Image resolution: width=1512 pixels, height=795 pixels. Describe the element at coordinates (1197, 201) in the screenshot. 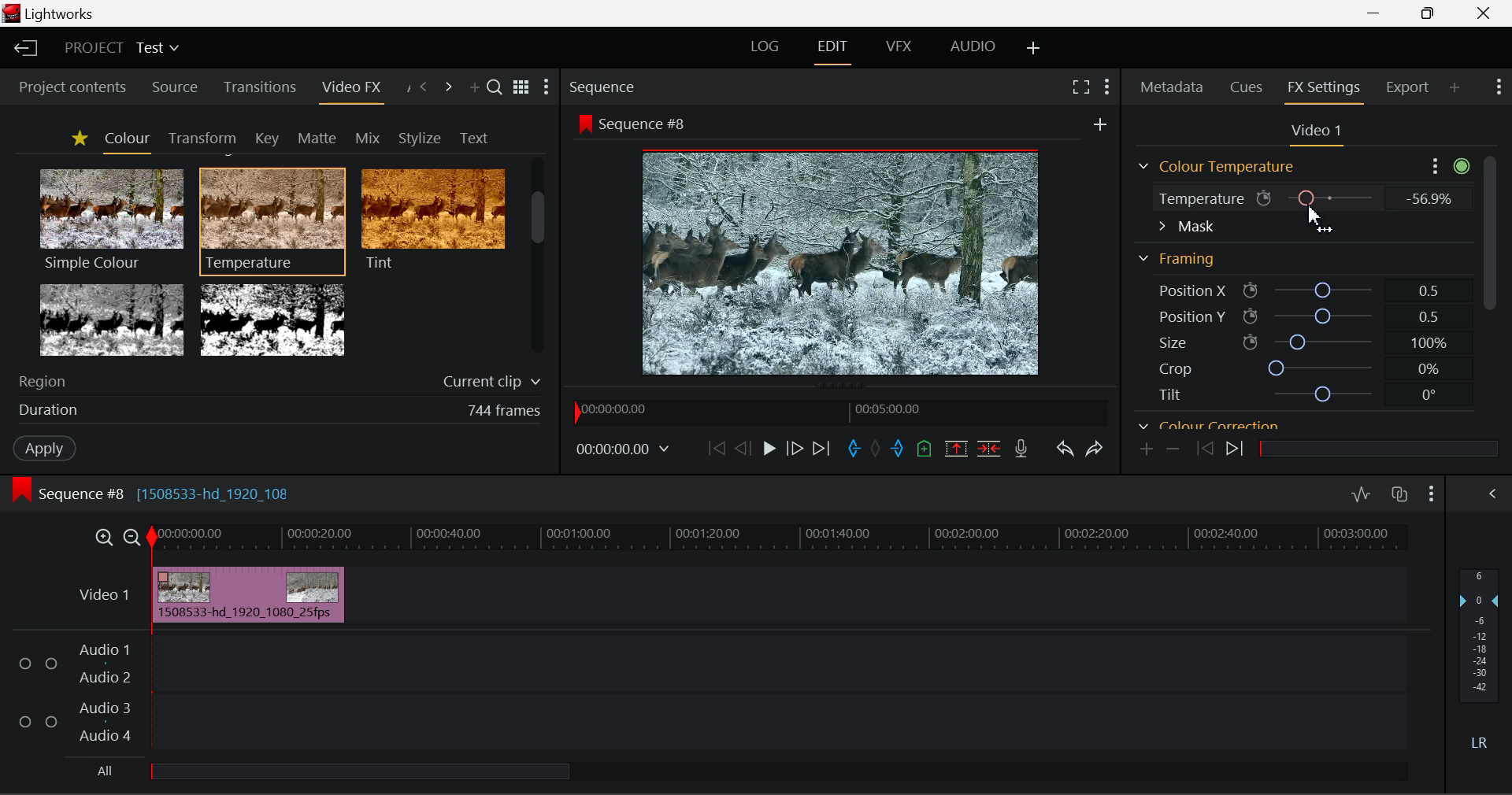

I see `Temperature` at that location.